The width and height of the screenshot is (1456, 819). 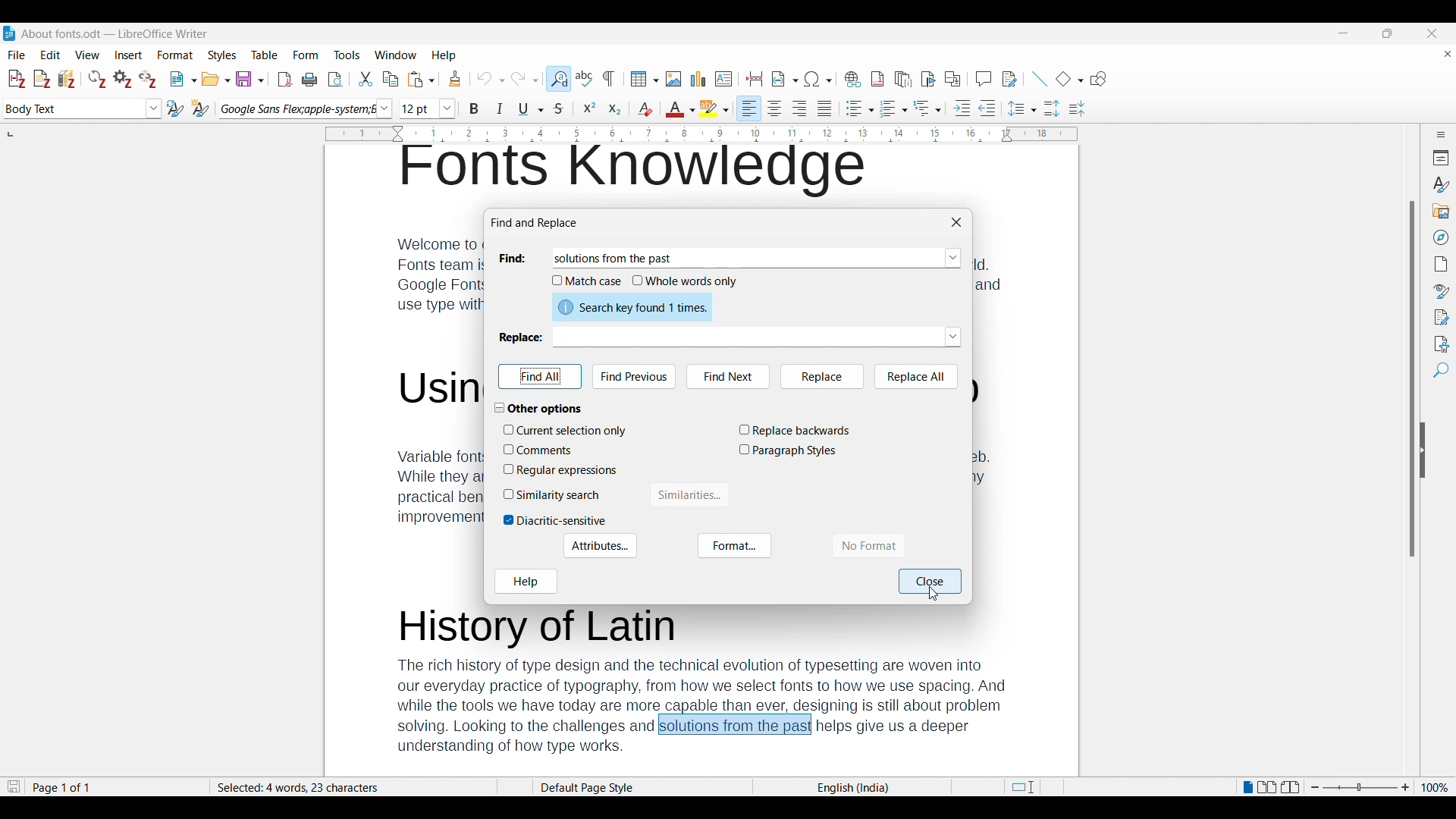 What do you see at coordinates (115, 34) in the screenshot?
I see `Software and project name` at bounding box center [115, 34].